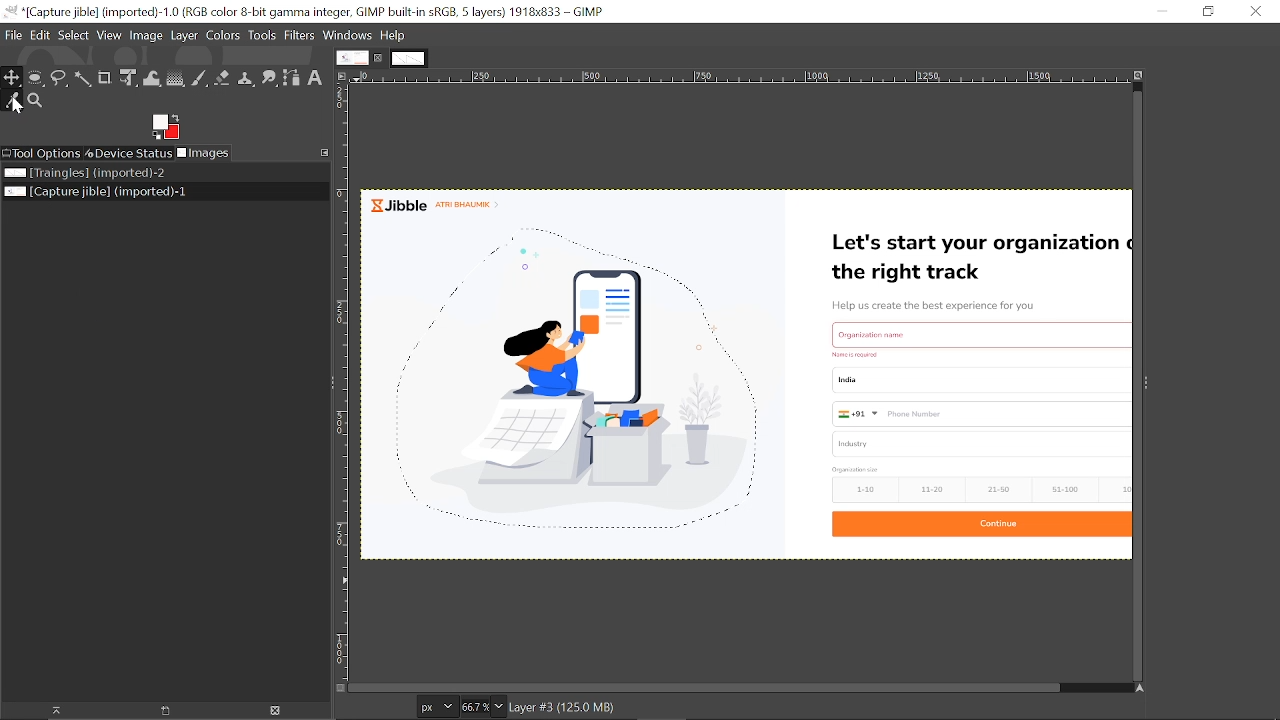 The height and width of the screenshot is (720, 1280). Describe the element at coordinates (438, 707) in the screenshot. I see `Image format ` at that location.